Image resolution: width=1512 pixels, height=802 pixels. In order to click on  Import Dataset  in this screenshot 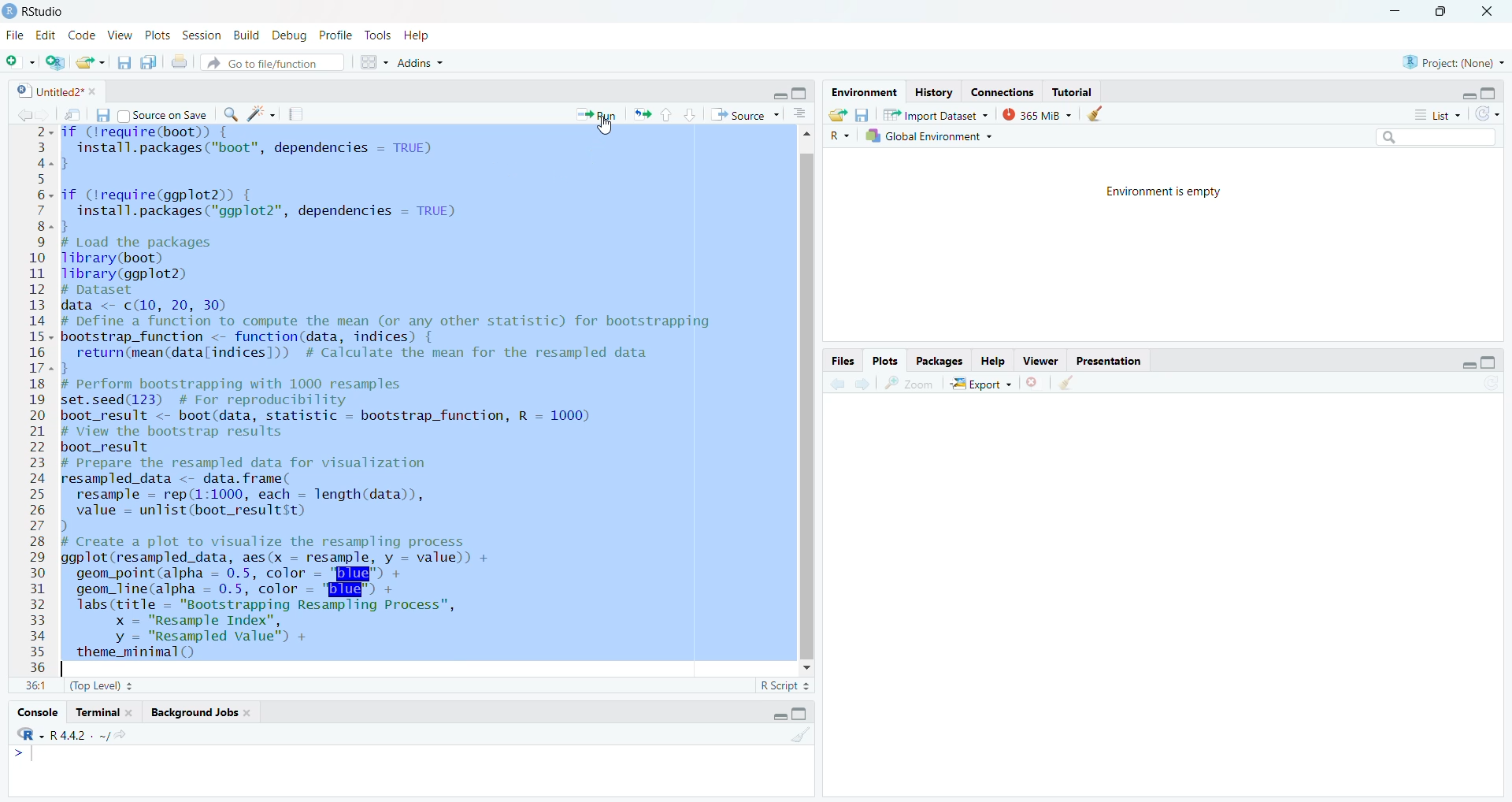, I will do `click(936, 113)`.